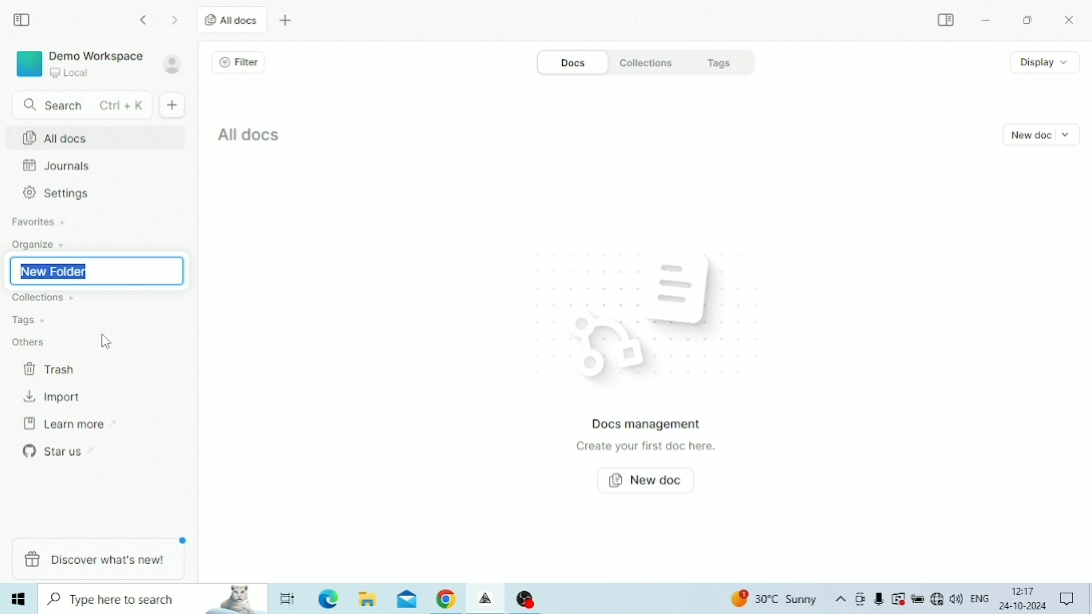 This screenshot has height=614, width=1092. What do you see at coordinates (40, 300) in the screenshot?
I see `Collections` at bounding box center [40, 300].